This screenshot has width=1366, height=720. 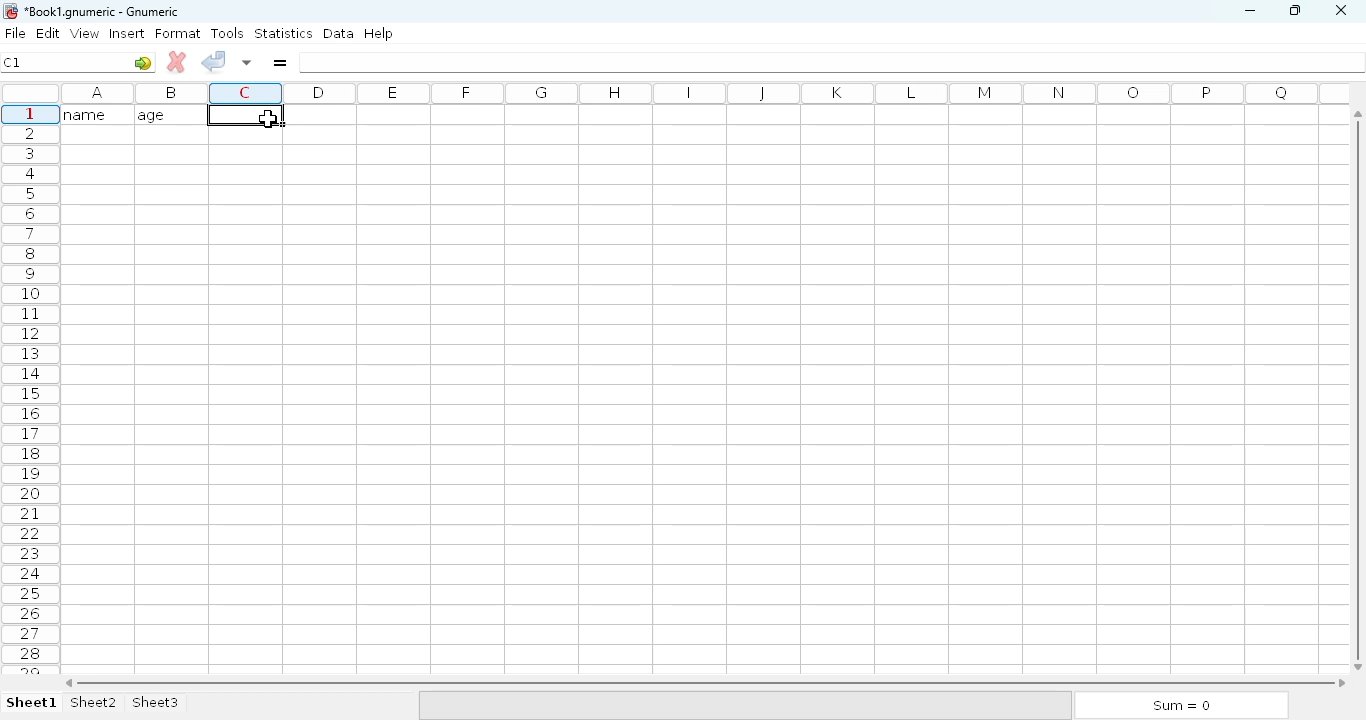 What do you see at coordinates (85, 33) in the screenshot?
I see `view` at bounding box center [85, 33].